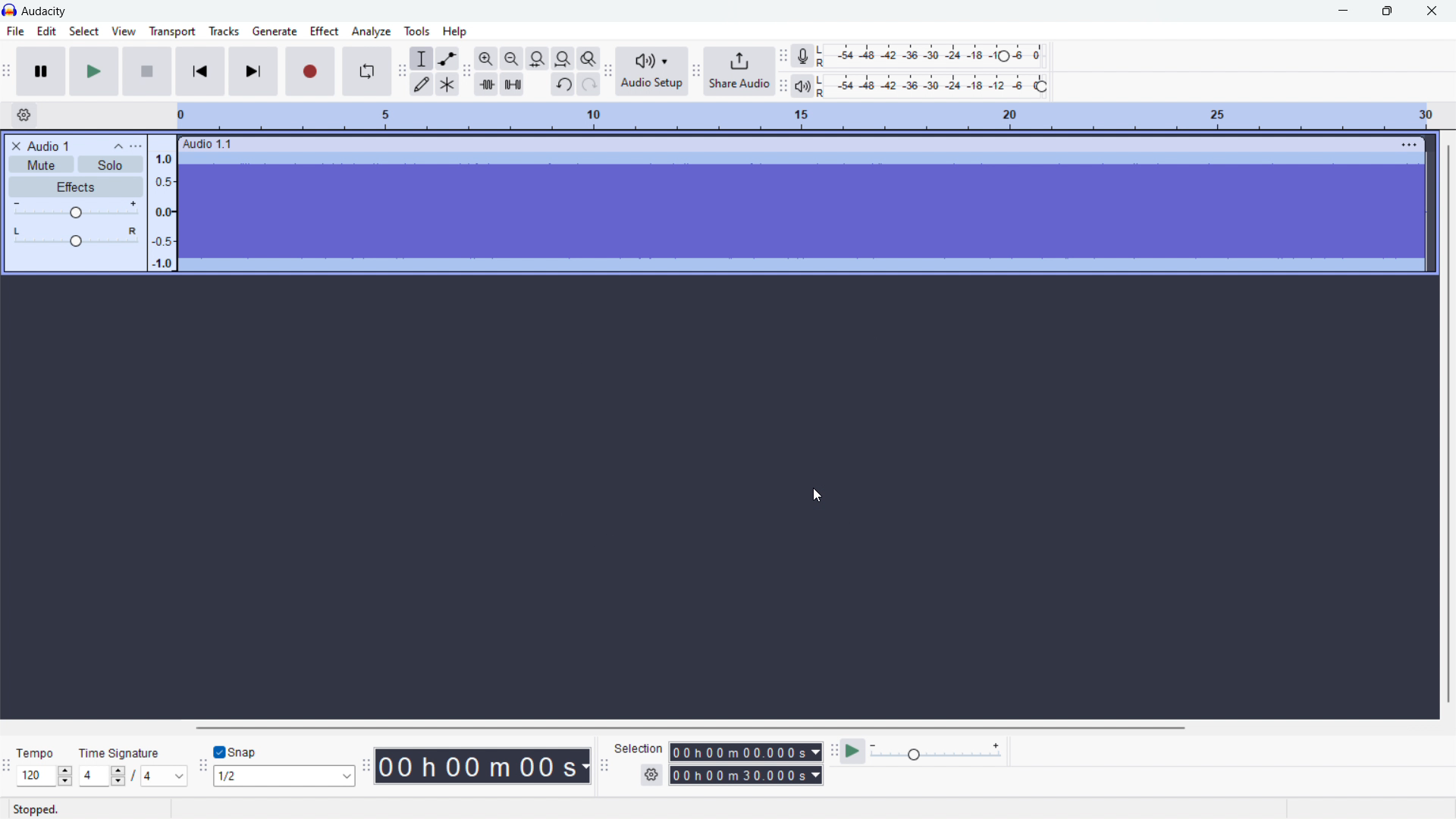 This screenshot has height=819, width=1456. I want to click on audio setup toolbar, so click(608, 71).